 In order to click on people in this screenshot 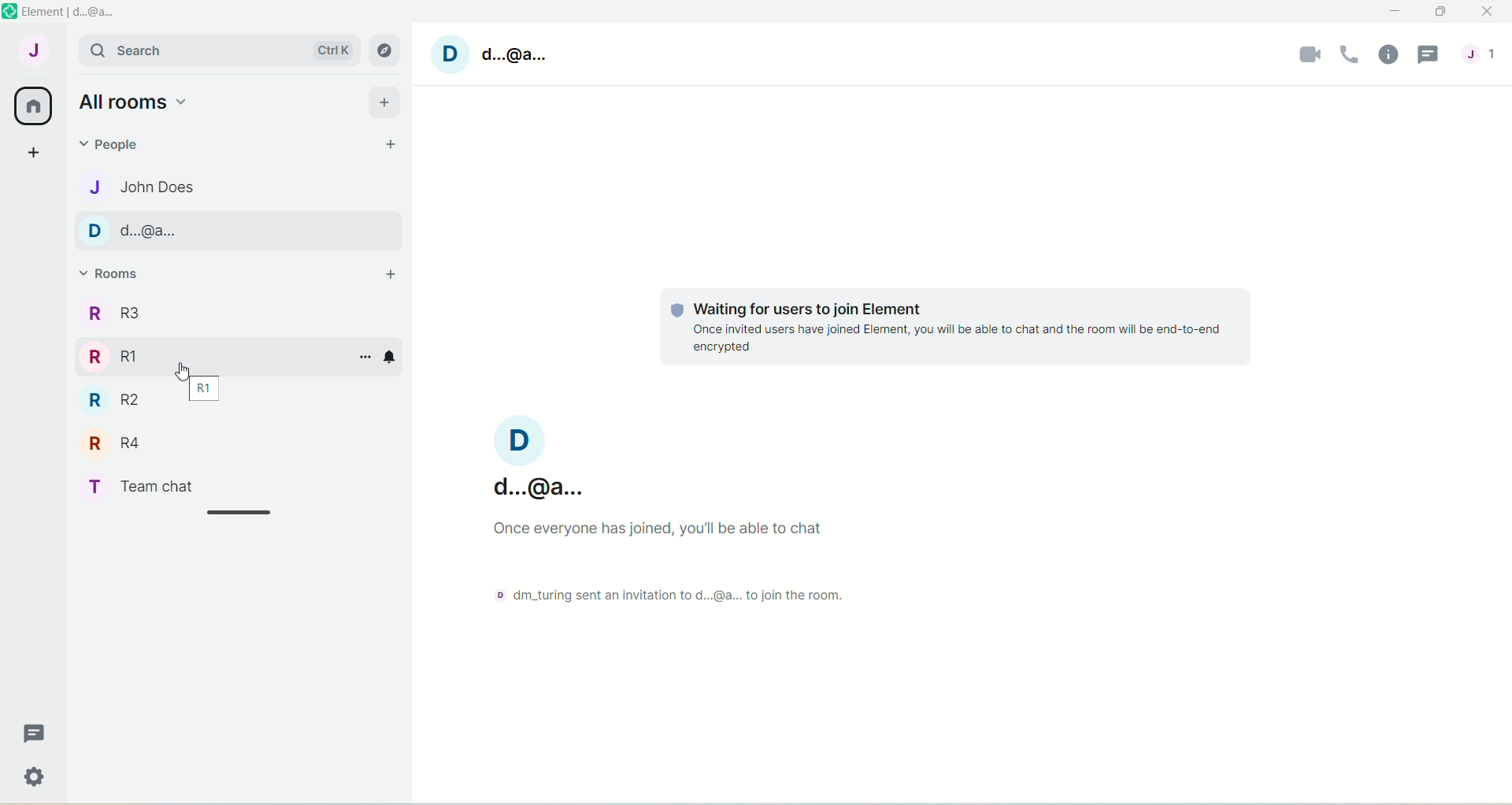, I will do `click(1484, 61)`.